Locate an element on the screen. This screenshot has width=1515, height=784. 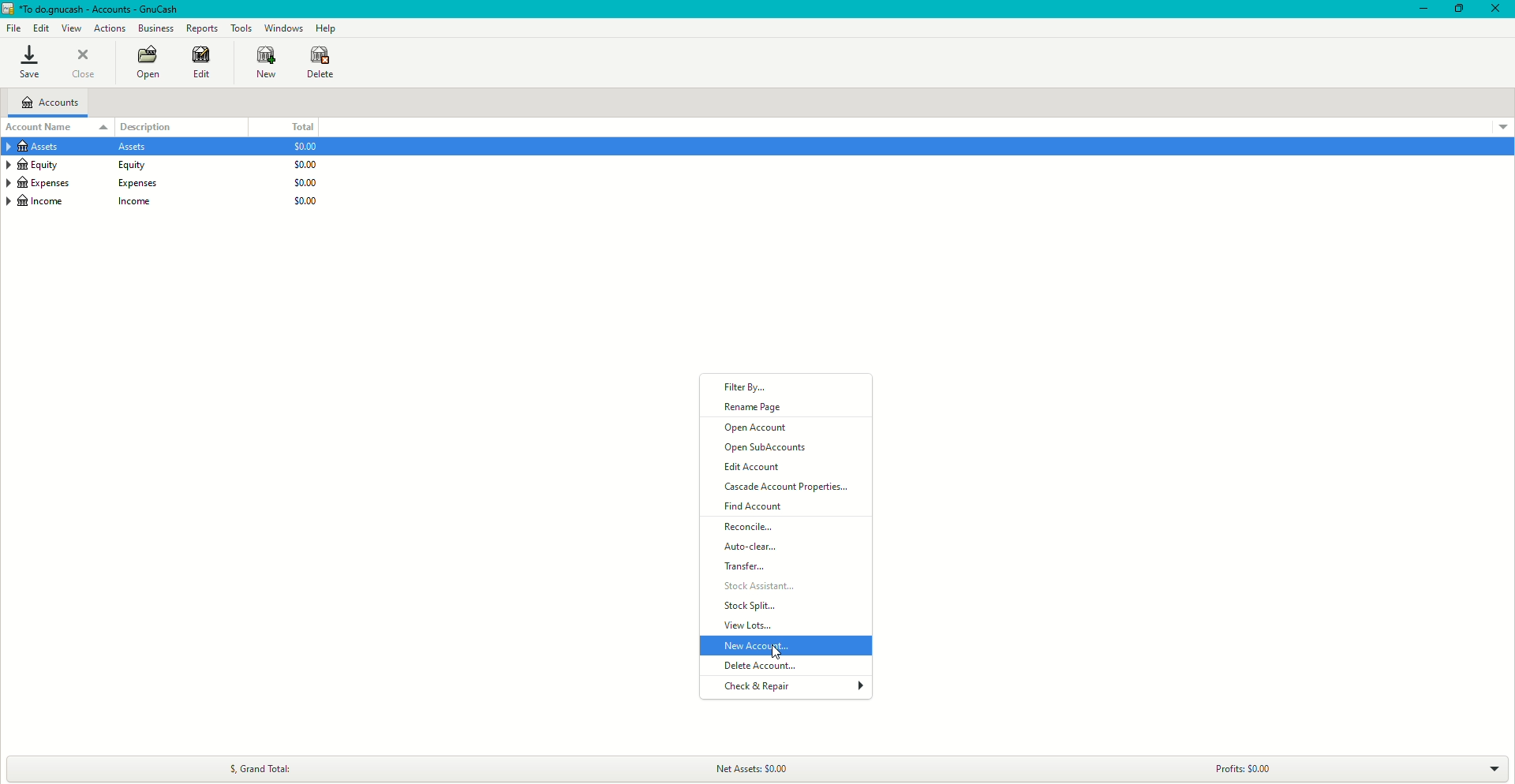
Help is located at coordinates (326, 28).